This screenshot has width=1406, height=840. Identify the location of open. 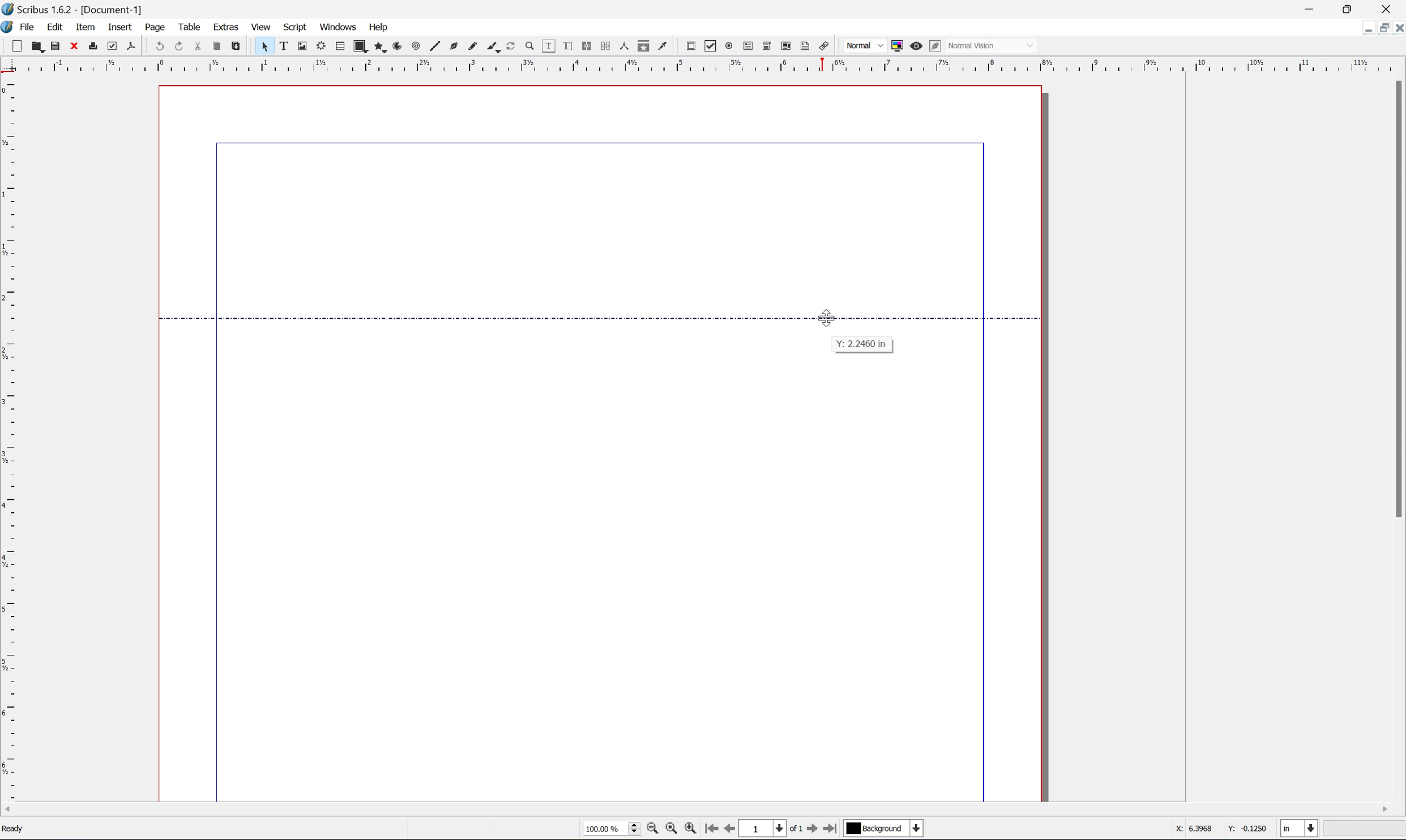
(37, 46).